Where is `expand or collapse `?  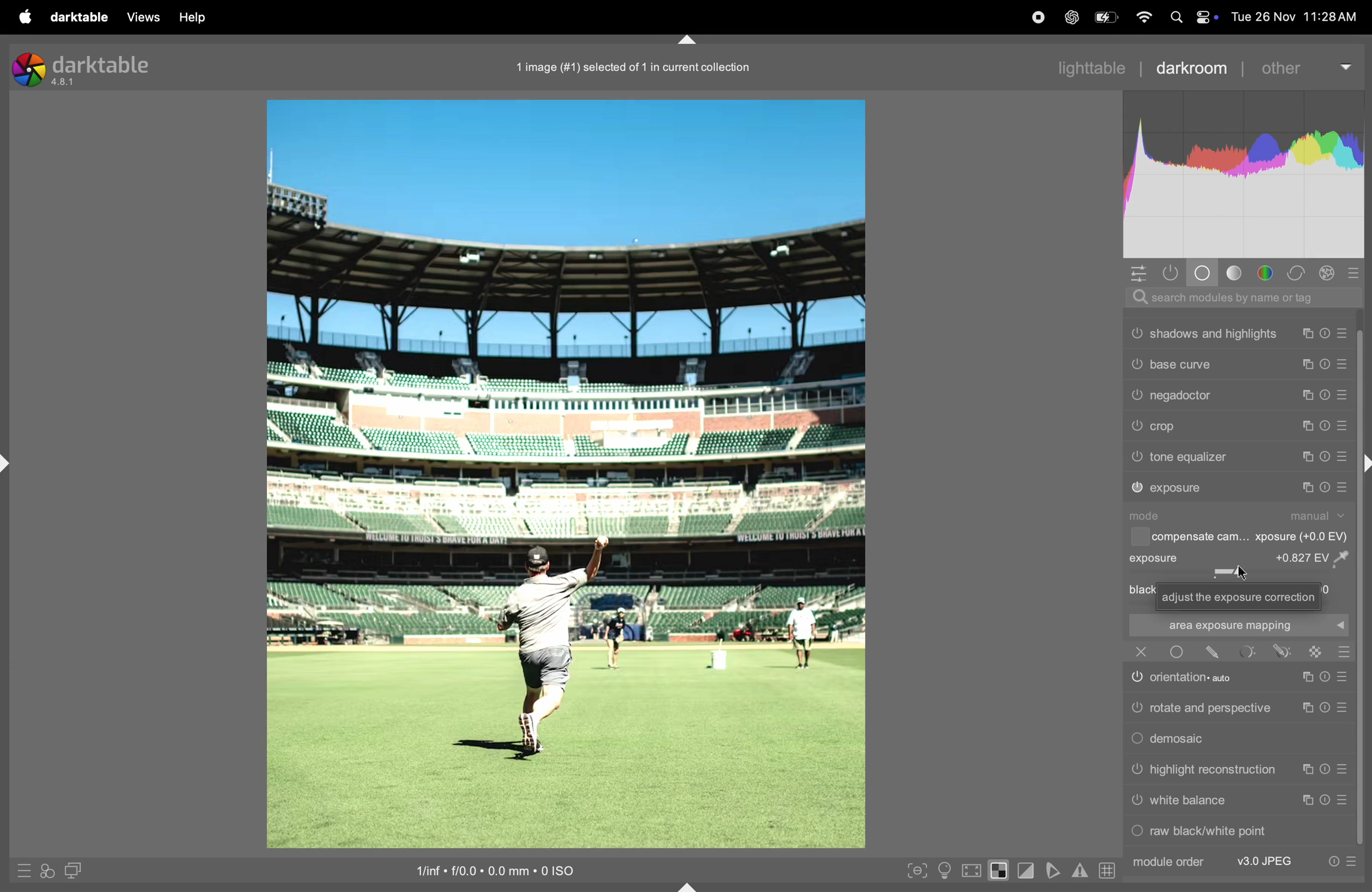 expand or collapse  is located at coordinates (1363, 465).